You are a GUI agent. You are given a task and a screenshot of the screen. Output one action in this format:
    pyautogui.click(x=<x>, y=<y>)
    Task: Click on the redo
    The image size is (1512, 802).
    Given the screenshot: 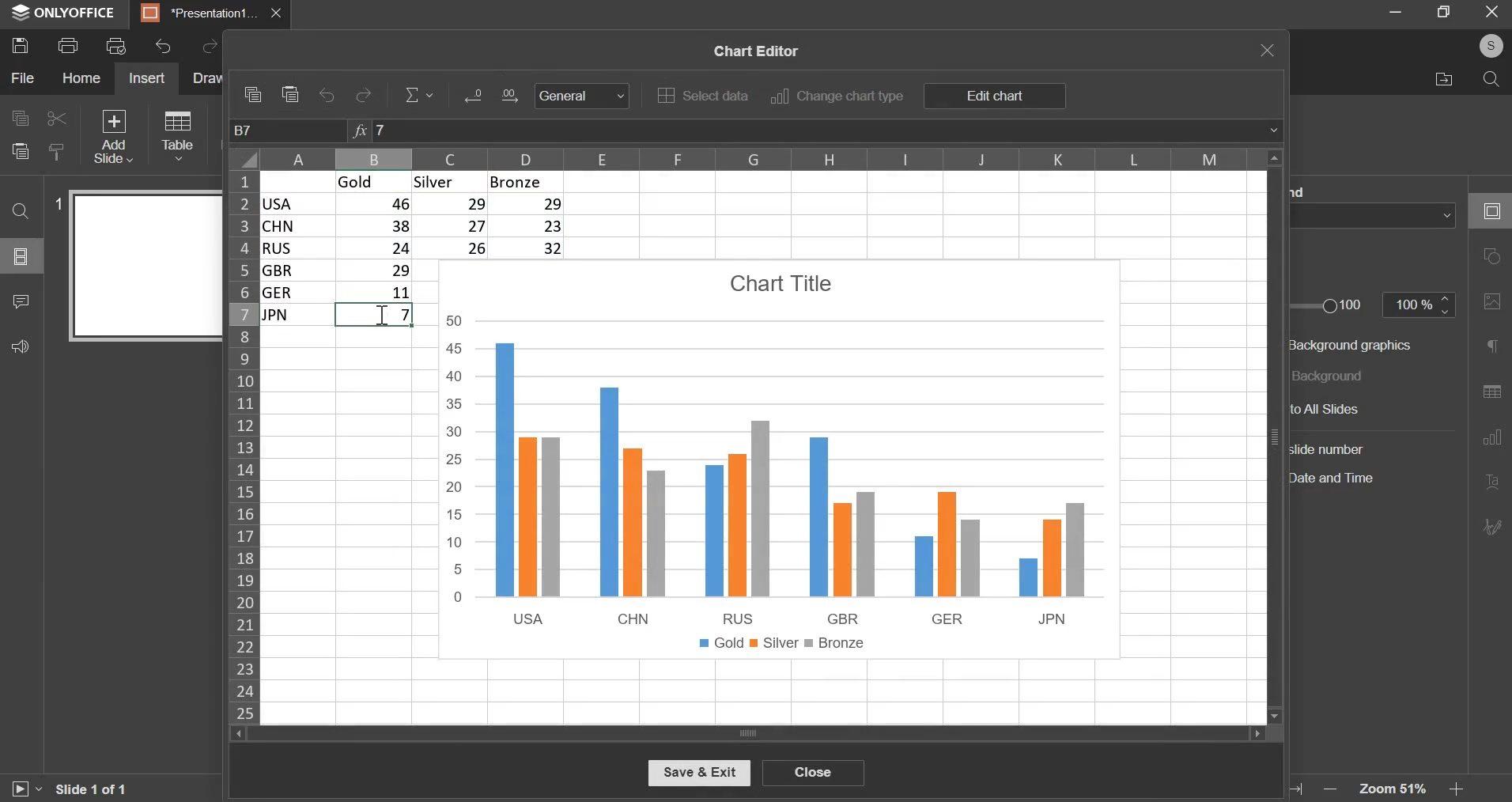 What is the action you would take?
    pyautogui.click(x=365, y=95)
    